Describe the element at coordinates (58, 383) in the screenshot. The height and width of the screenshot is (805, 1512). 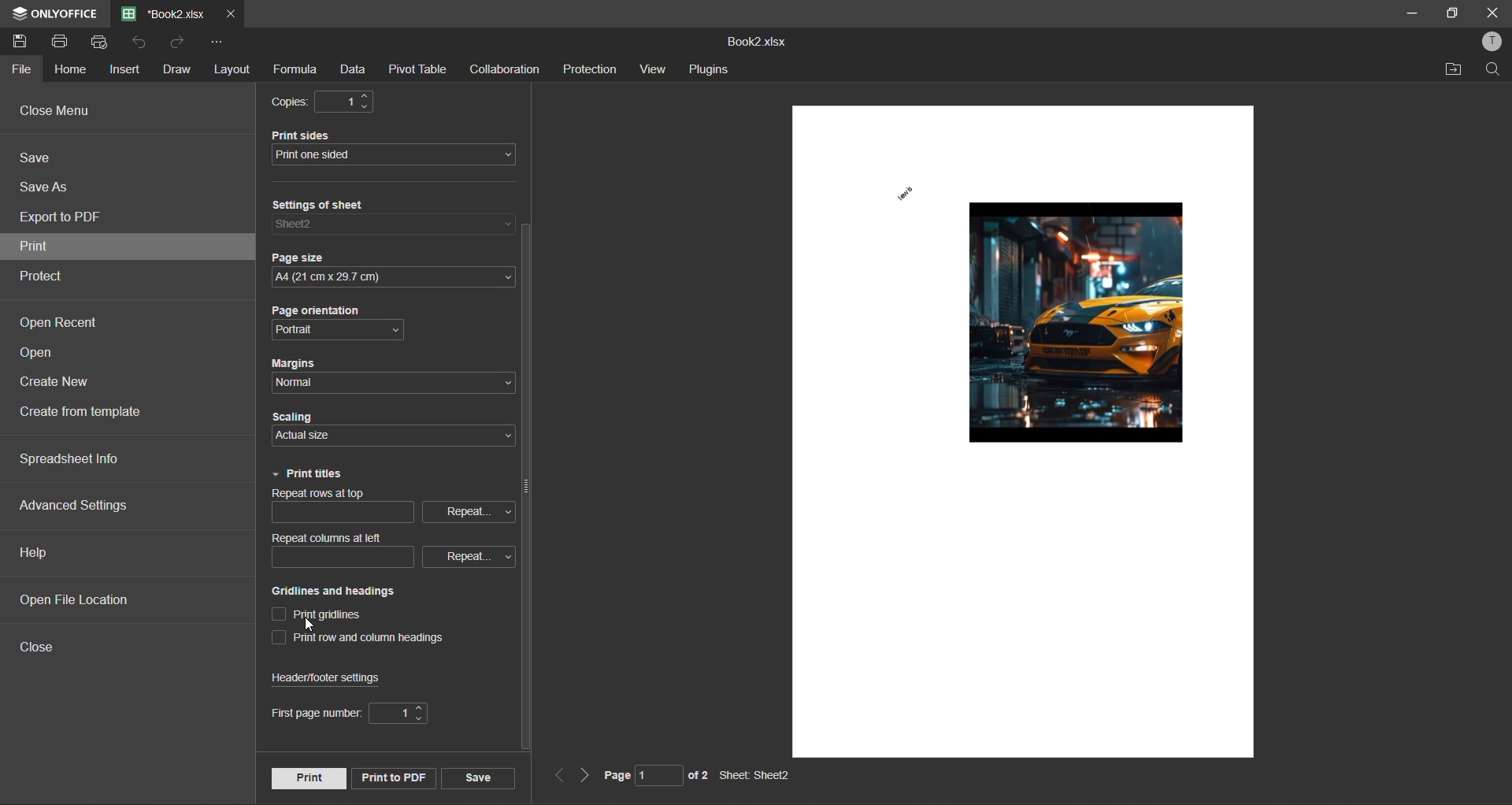
I see `create new` at that location.